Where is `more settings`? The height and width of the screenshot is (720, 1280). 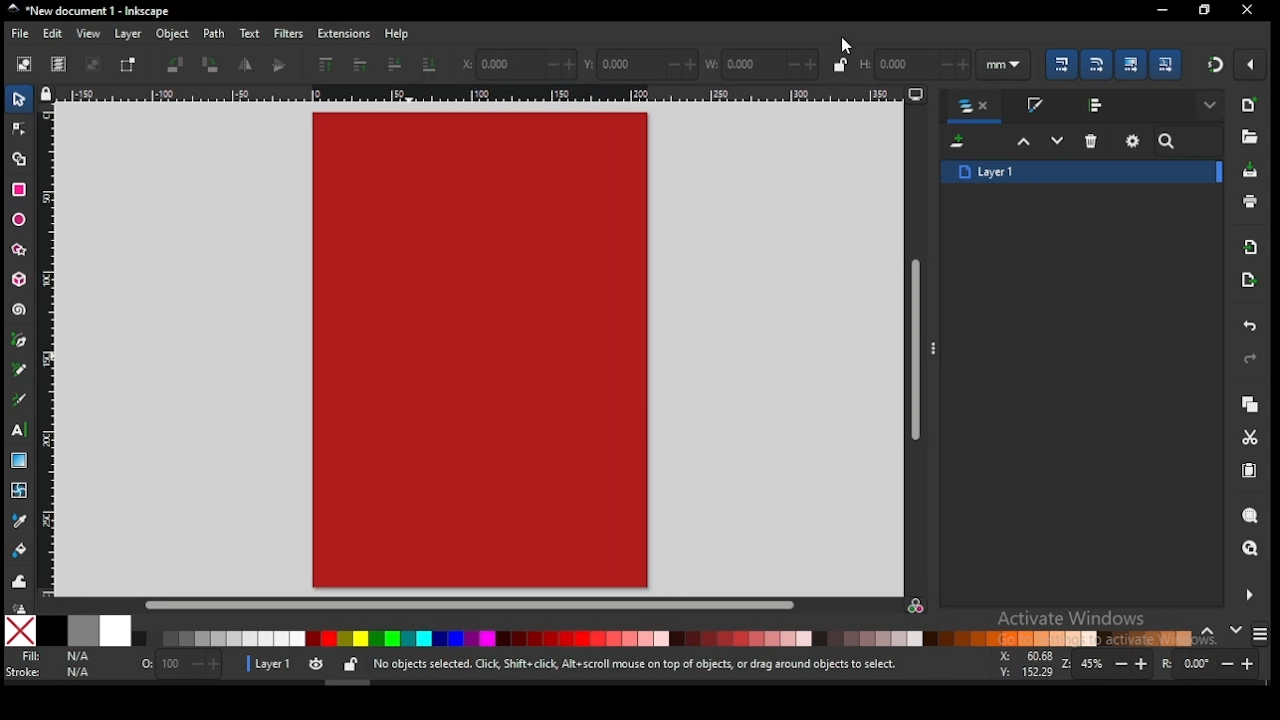 more settings is located at coordinates (1247, 595).